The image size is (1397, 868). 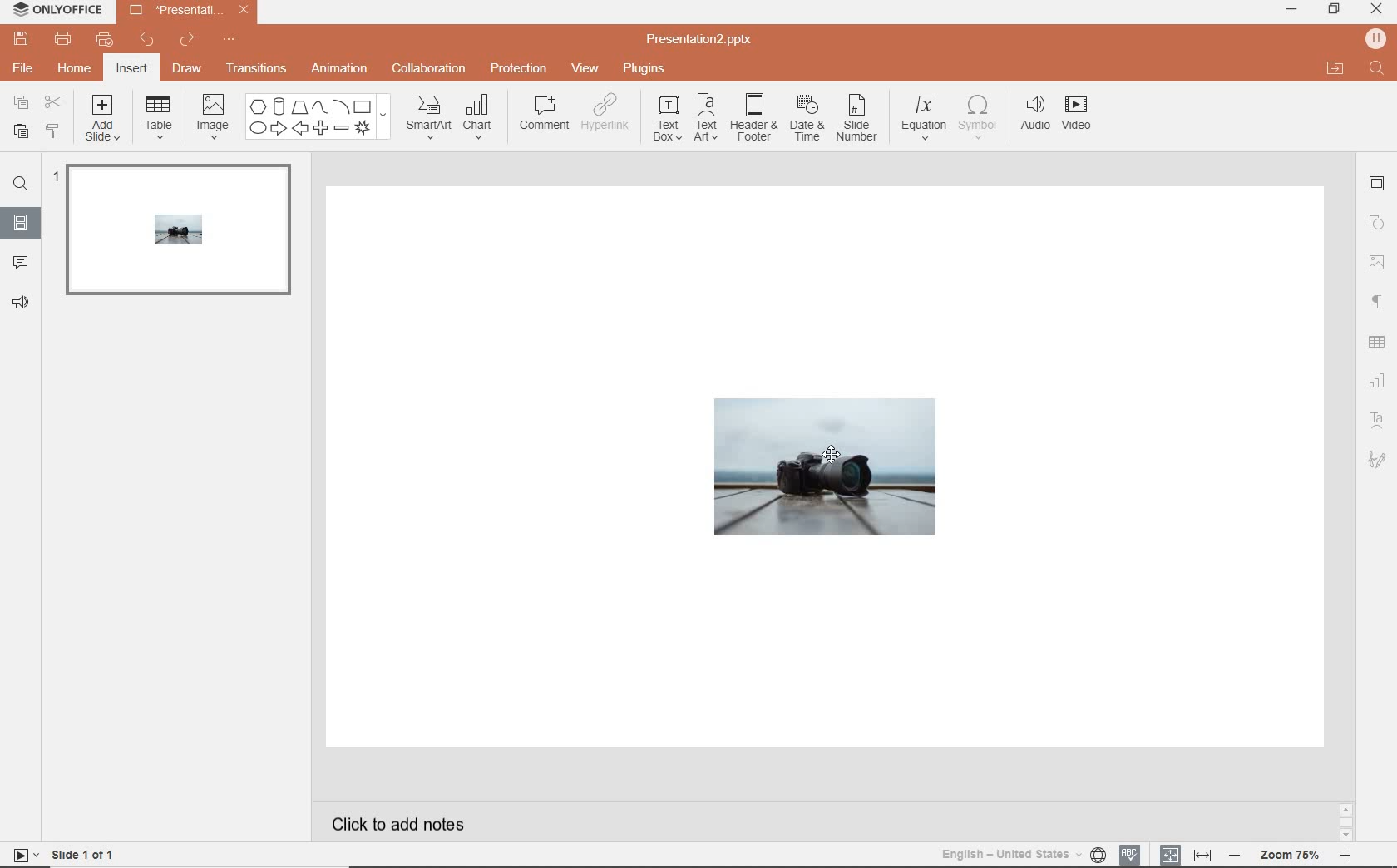 I want to click on image settings, so click(x=1377, y=262).